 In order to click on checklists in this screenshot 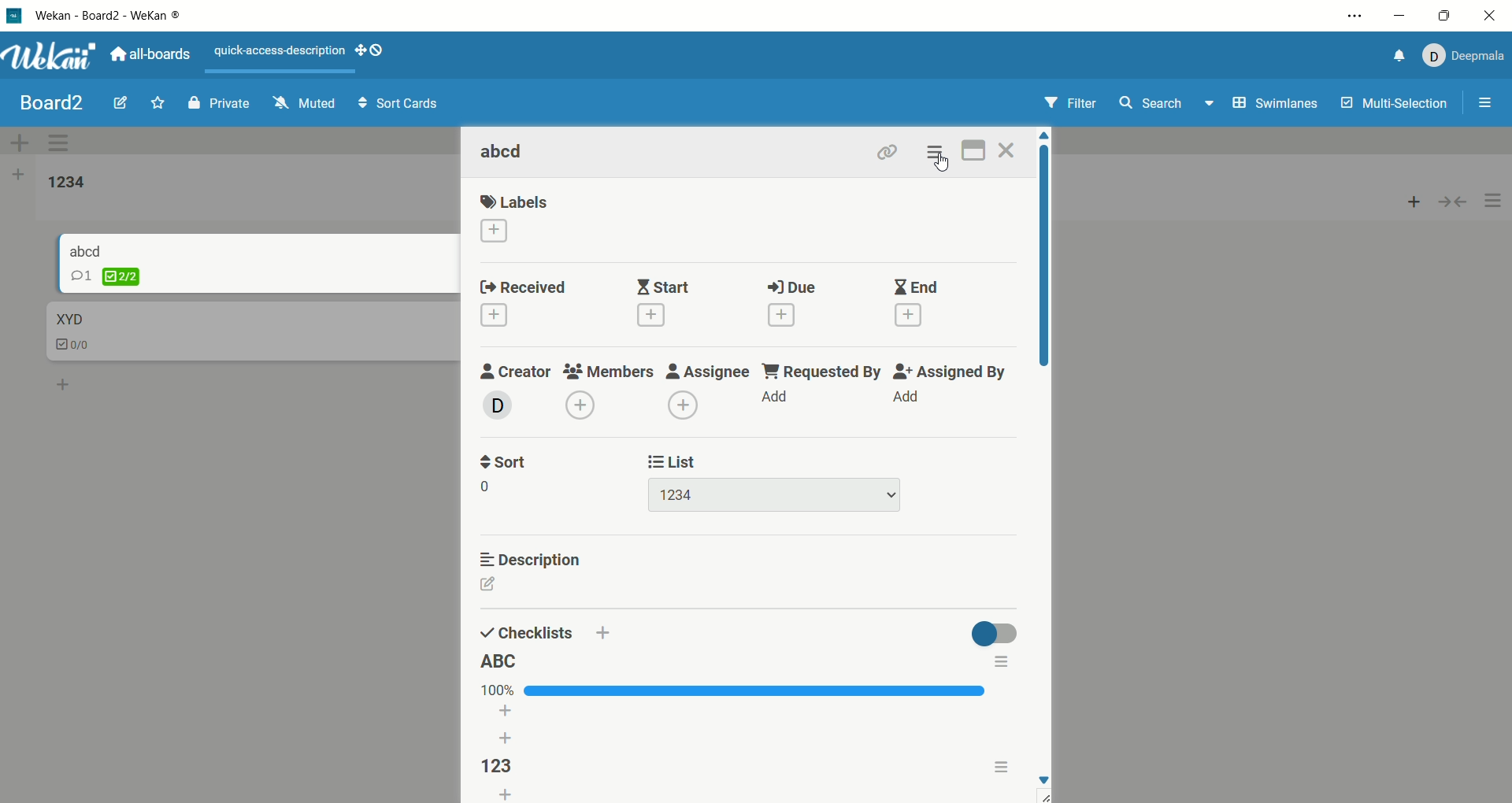, I will do `click(525, 631)`.